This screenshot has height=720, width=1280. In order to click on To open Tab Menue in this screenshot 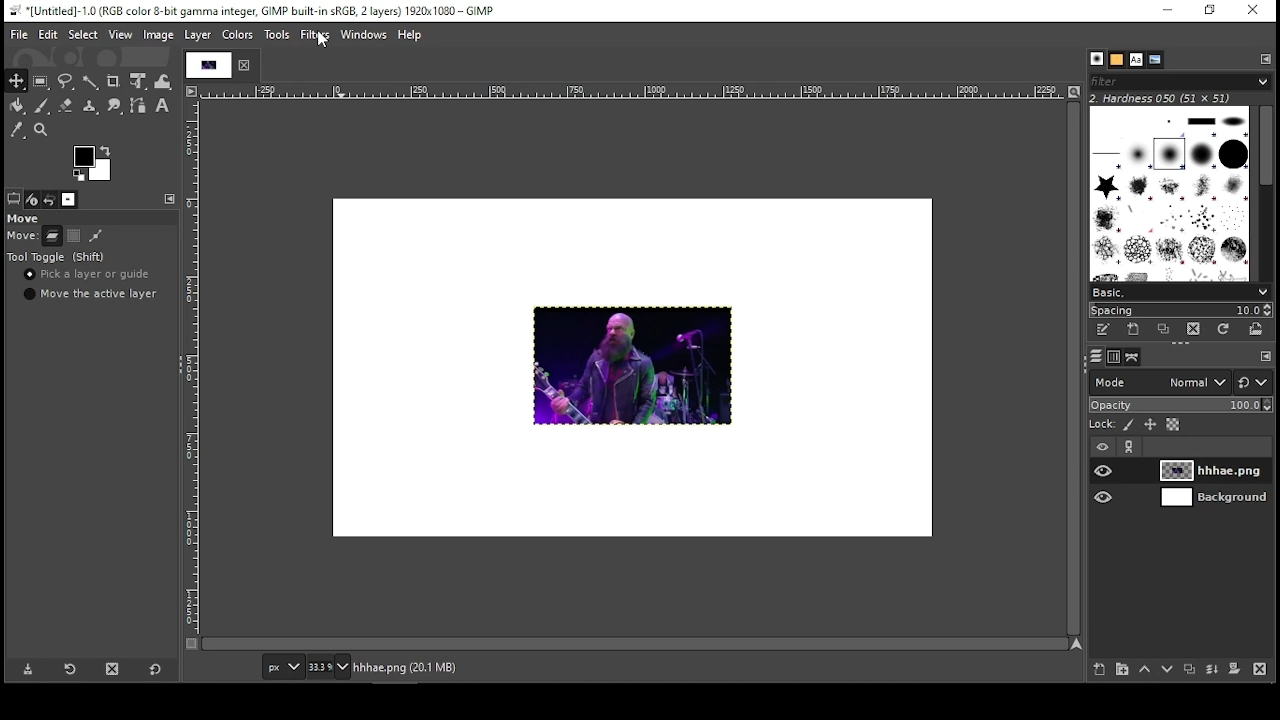, I will do `click(1265, 59)`.